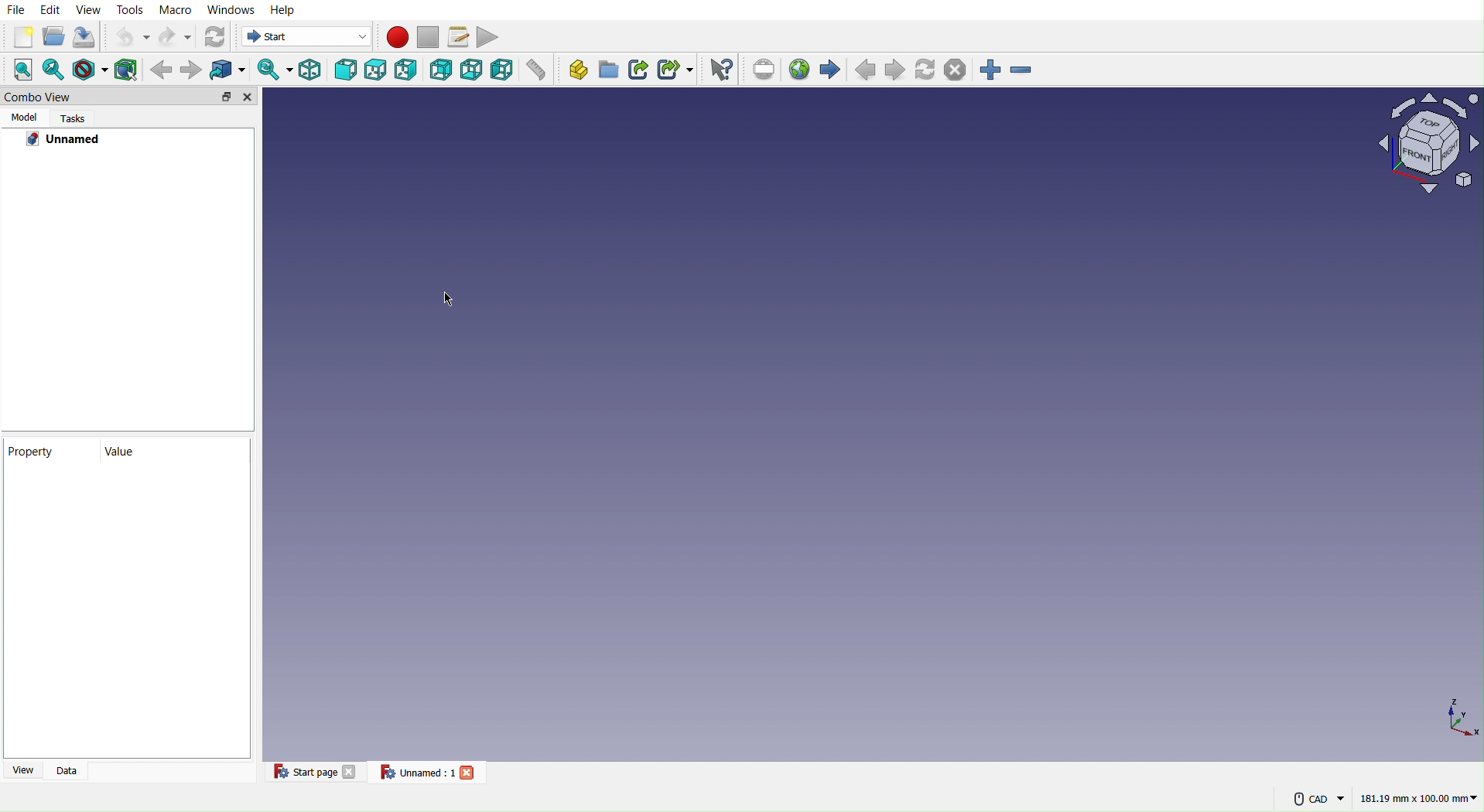 The height and width of the screenshot is (812, 1484). Describe the element at coordinates (439, 69) in the screenshot. I see `Set to rear view` at that location.